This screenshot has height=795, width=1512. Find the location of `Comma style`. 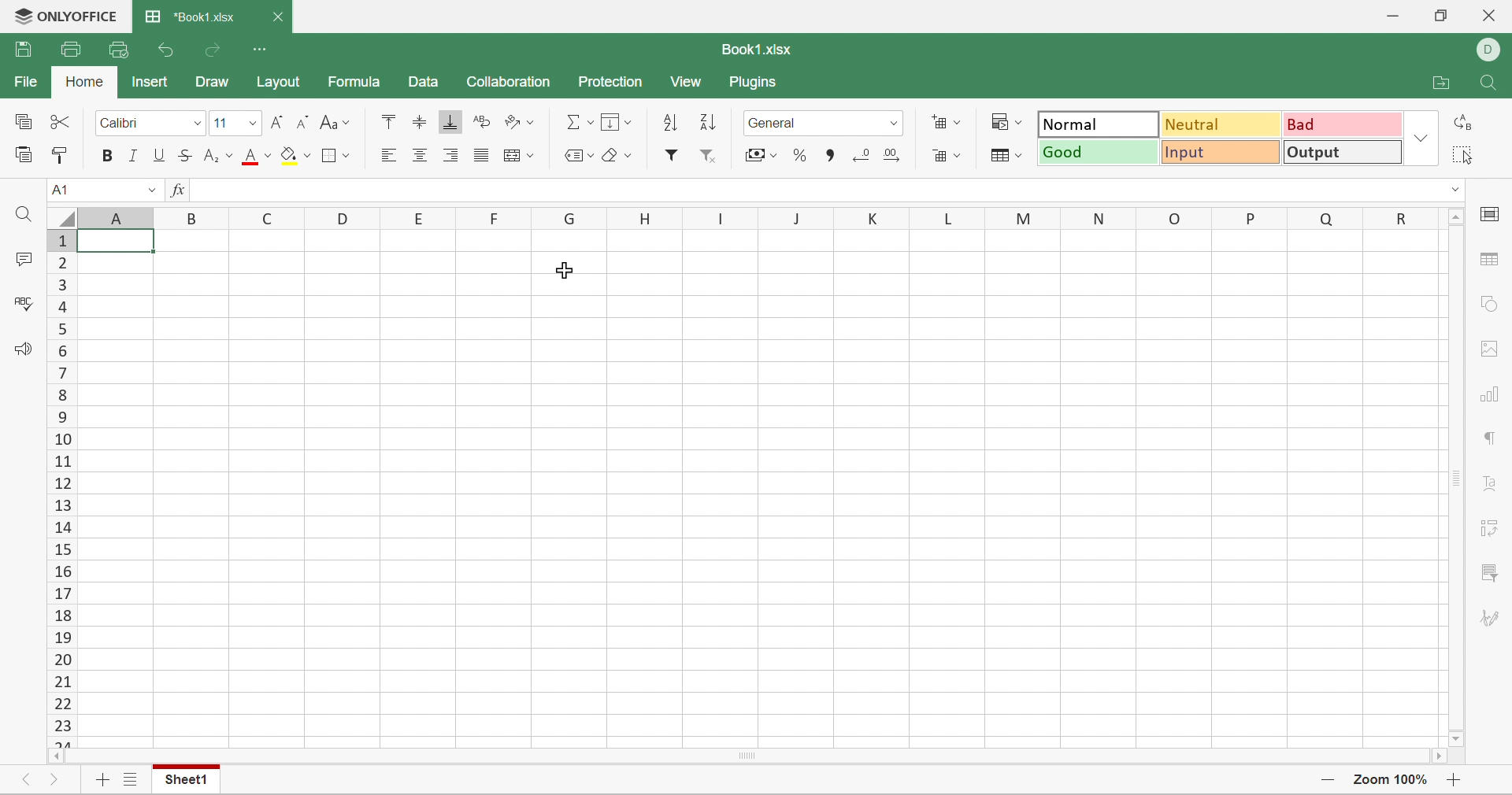

Comma style is located at coordinates (832, 156).